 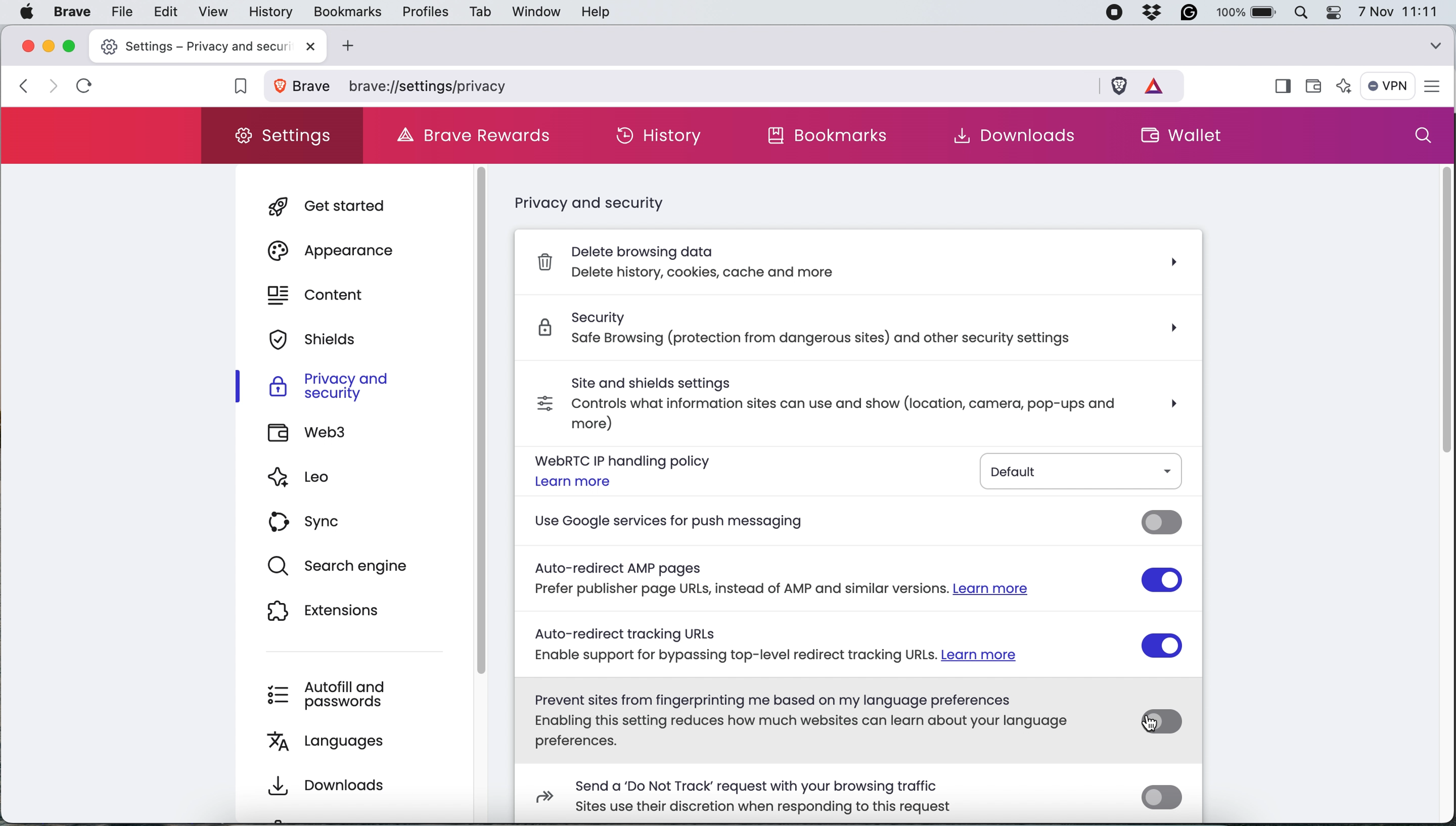 What do you see at coordinates (26, 11) in the screenshot?
I see `system logo` at bounding box center [26, 11].